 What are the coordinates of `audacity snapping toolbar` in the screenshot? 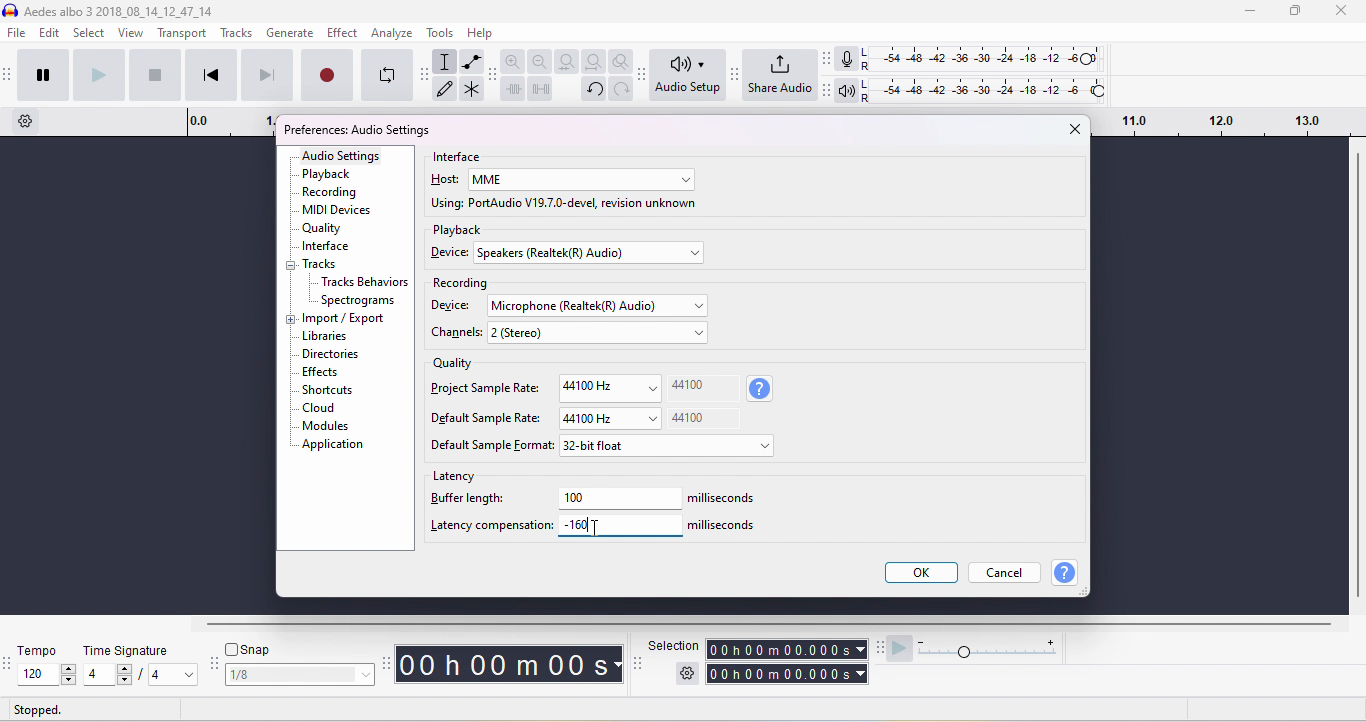 It's located at (215, 664).